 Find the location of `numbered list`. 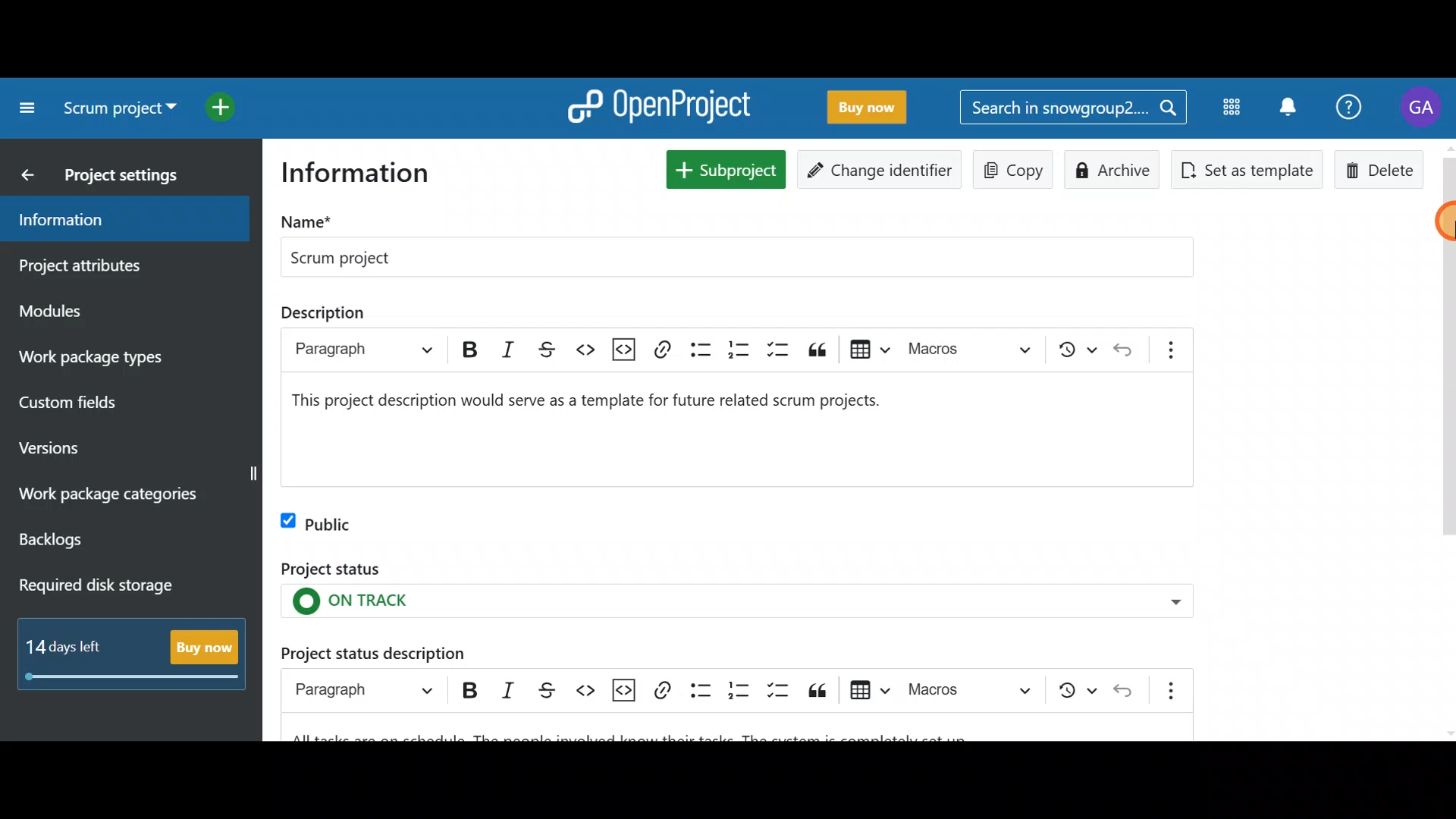

numbered list is located at coordinates (739, 349).